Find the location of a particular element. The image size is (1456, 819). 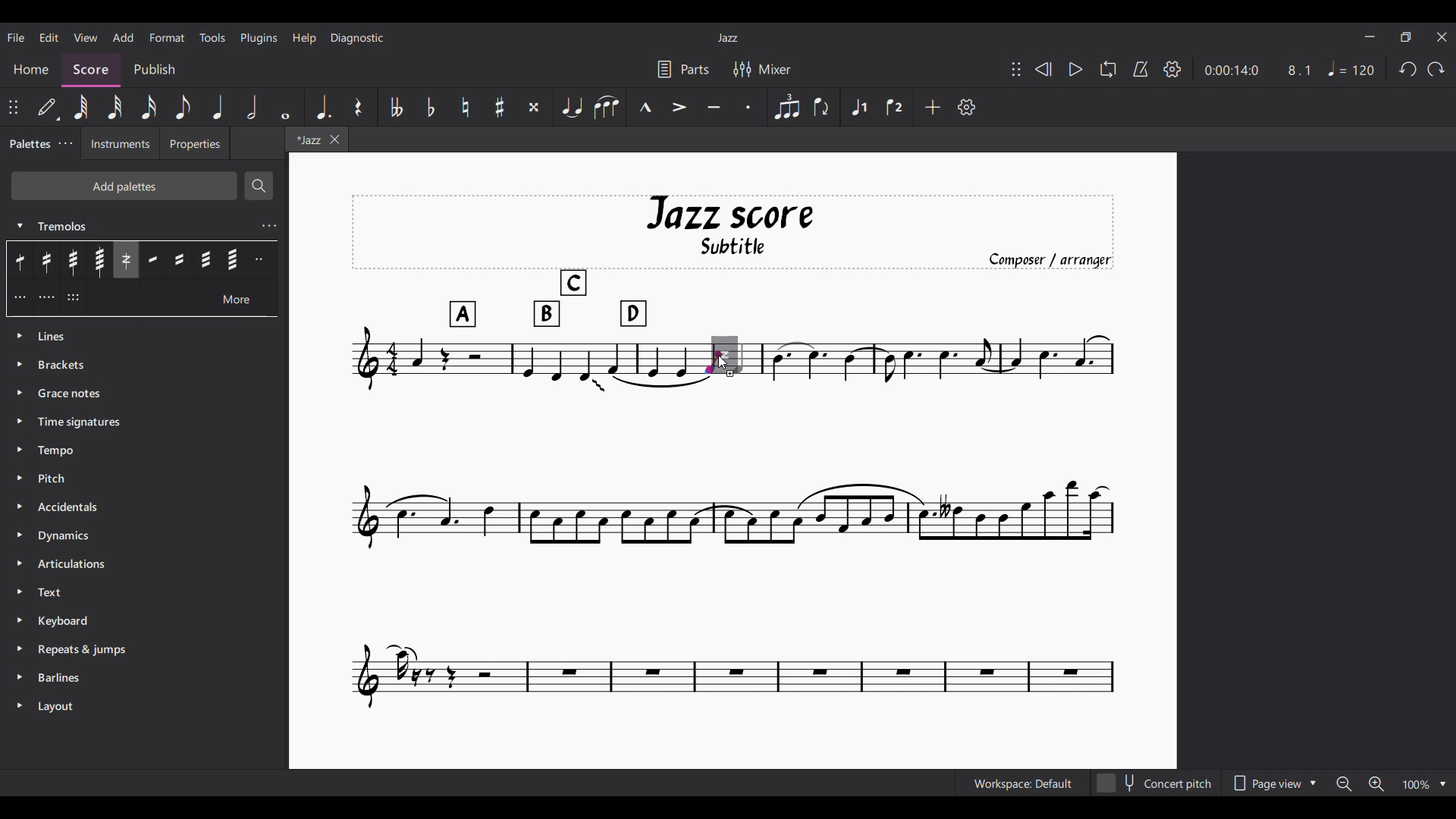

Show in smaller tab is located at coordinates (1406, 36).